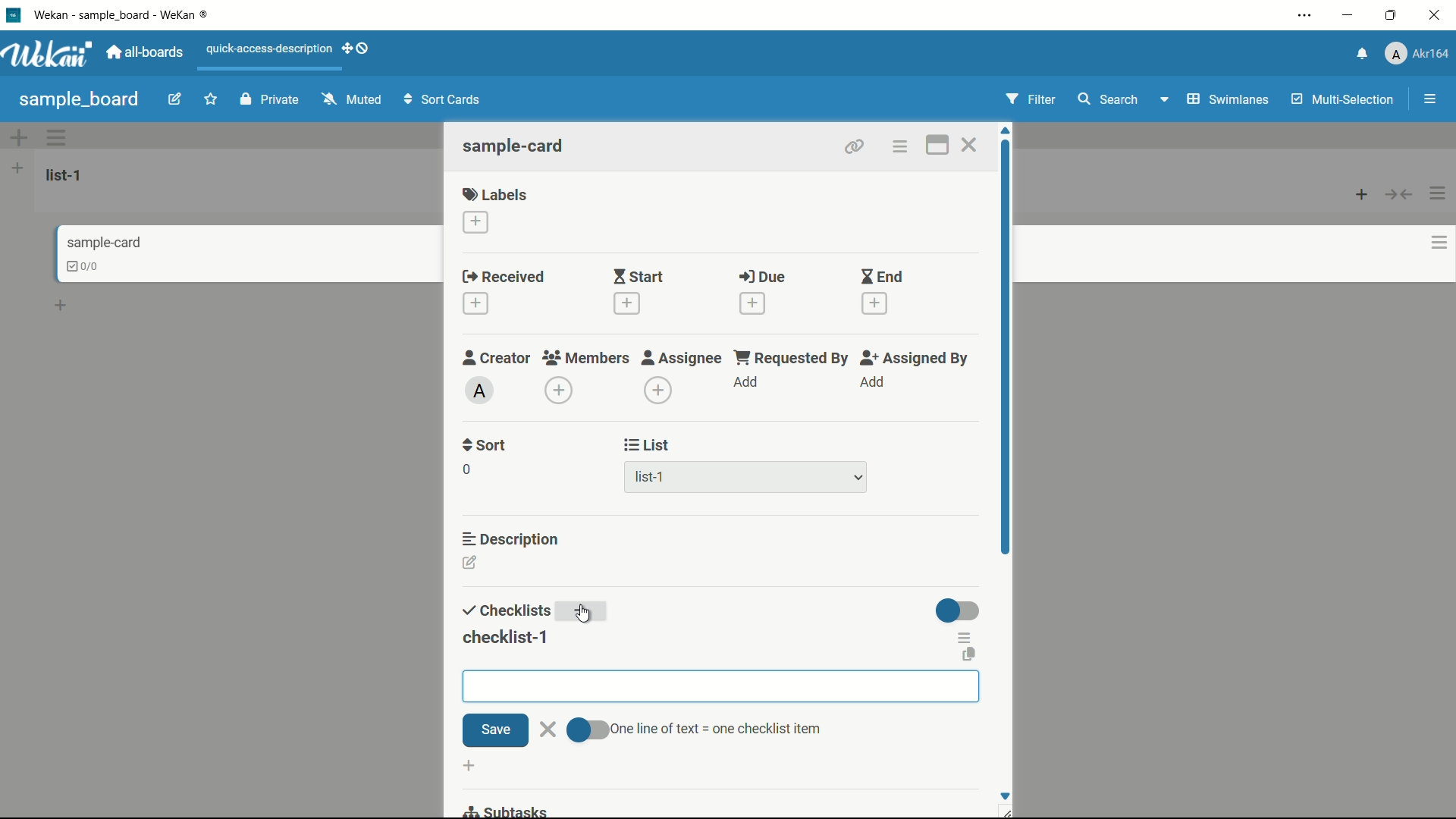  What do you see at coordinates (652, 480) in the screenshot?
I see `list-1` at bounding box center [652, 480].